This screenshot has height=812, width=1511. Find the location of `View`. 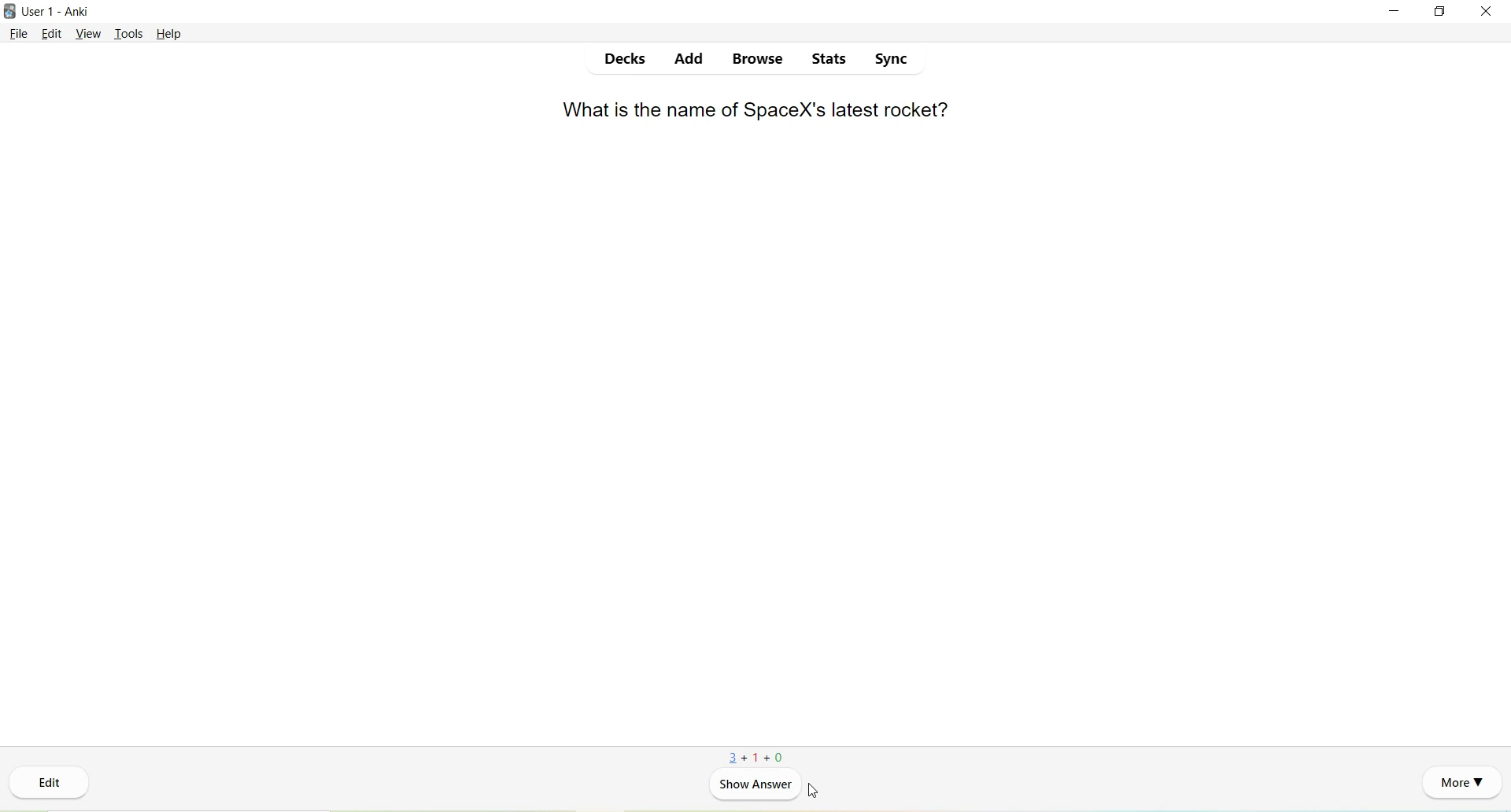

View is located at coordinates (89, 33).